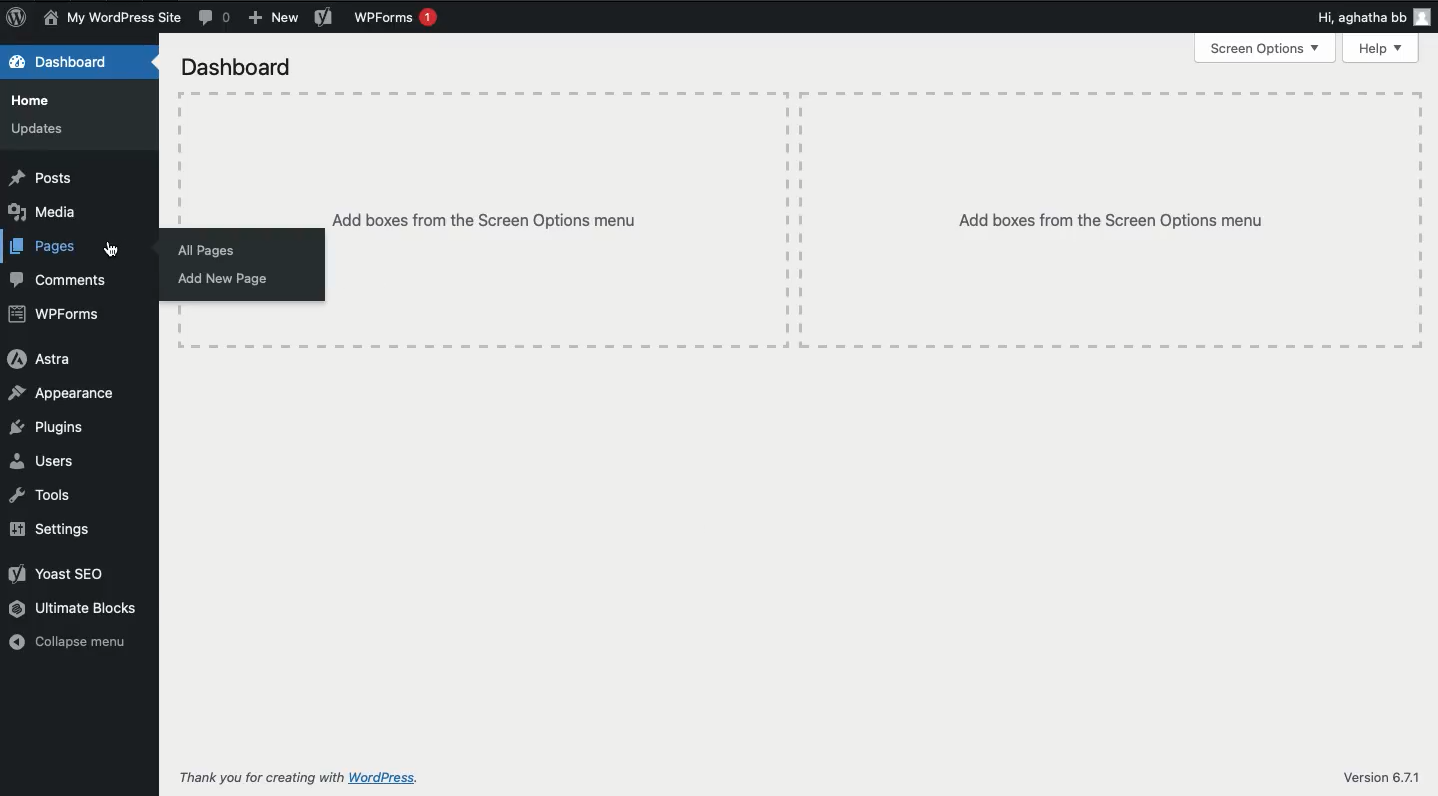  I want to click on Ultimate blocks, so click(77, 610).